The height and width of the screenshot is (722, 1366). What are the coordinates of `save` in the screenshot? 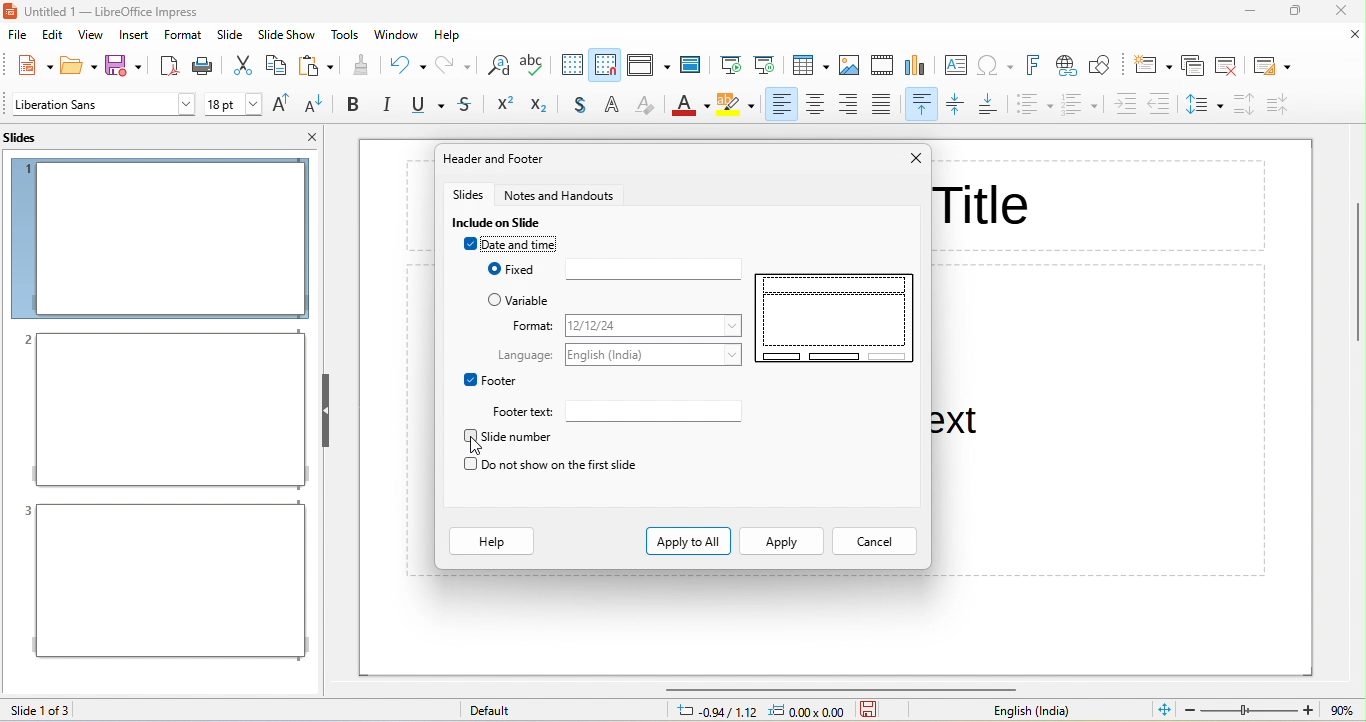 It's located at (128, 65).